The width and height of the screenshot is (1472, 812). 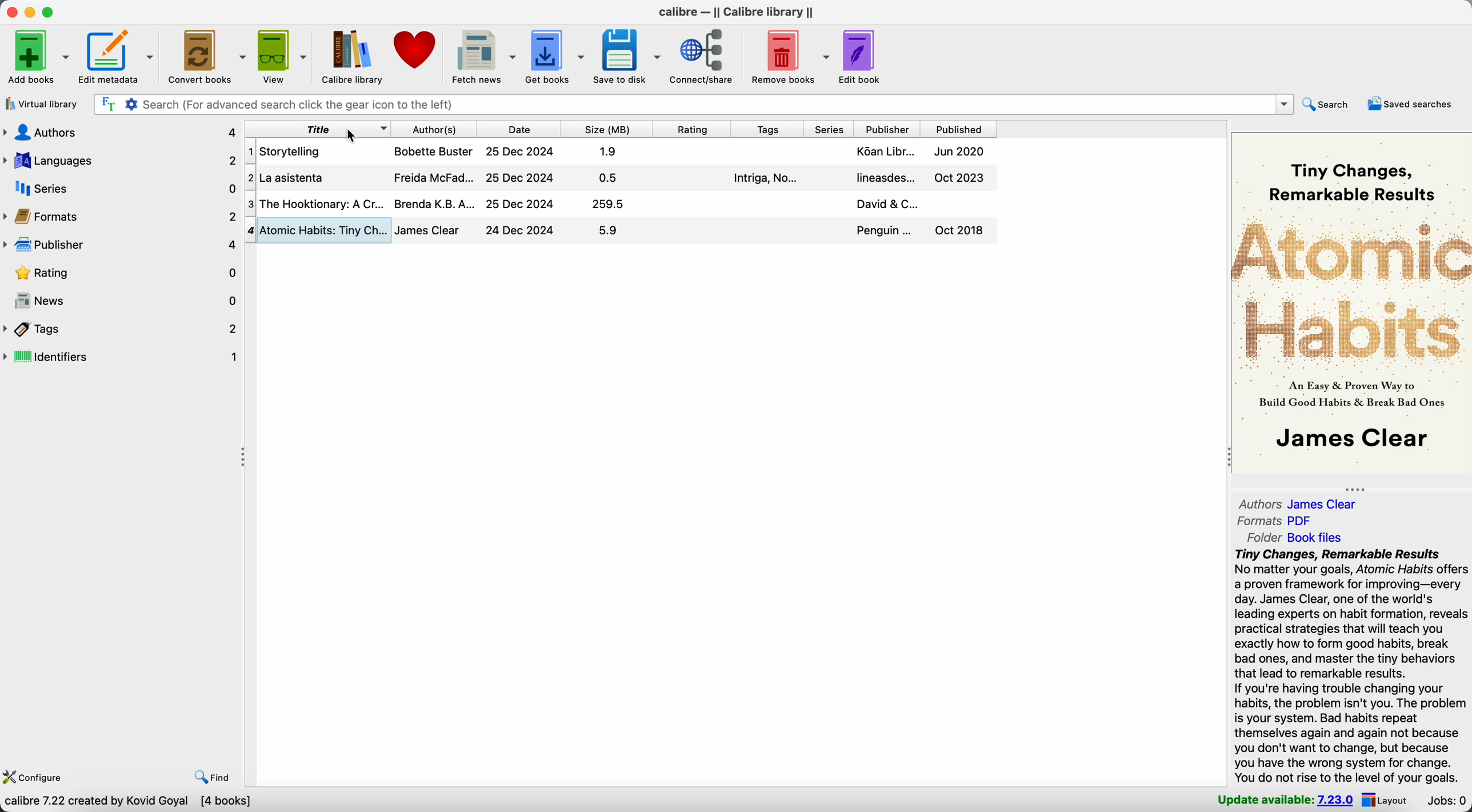 I want to click on identifiers, so click(x=122, y=358).